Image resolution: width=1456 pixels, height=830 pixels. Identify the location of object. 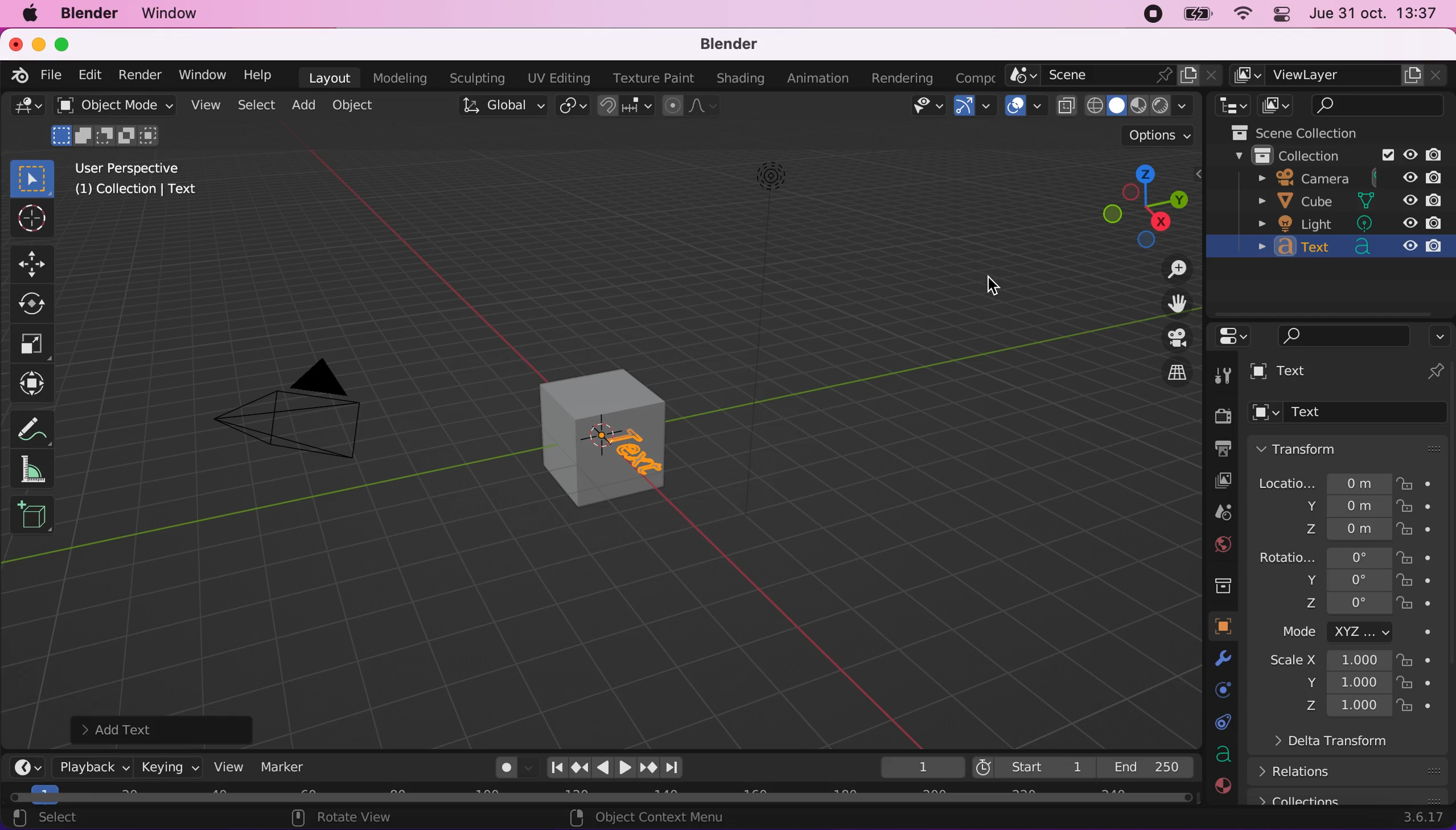
(360, 107).